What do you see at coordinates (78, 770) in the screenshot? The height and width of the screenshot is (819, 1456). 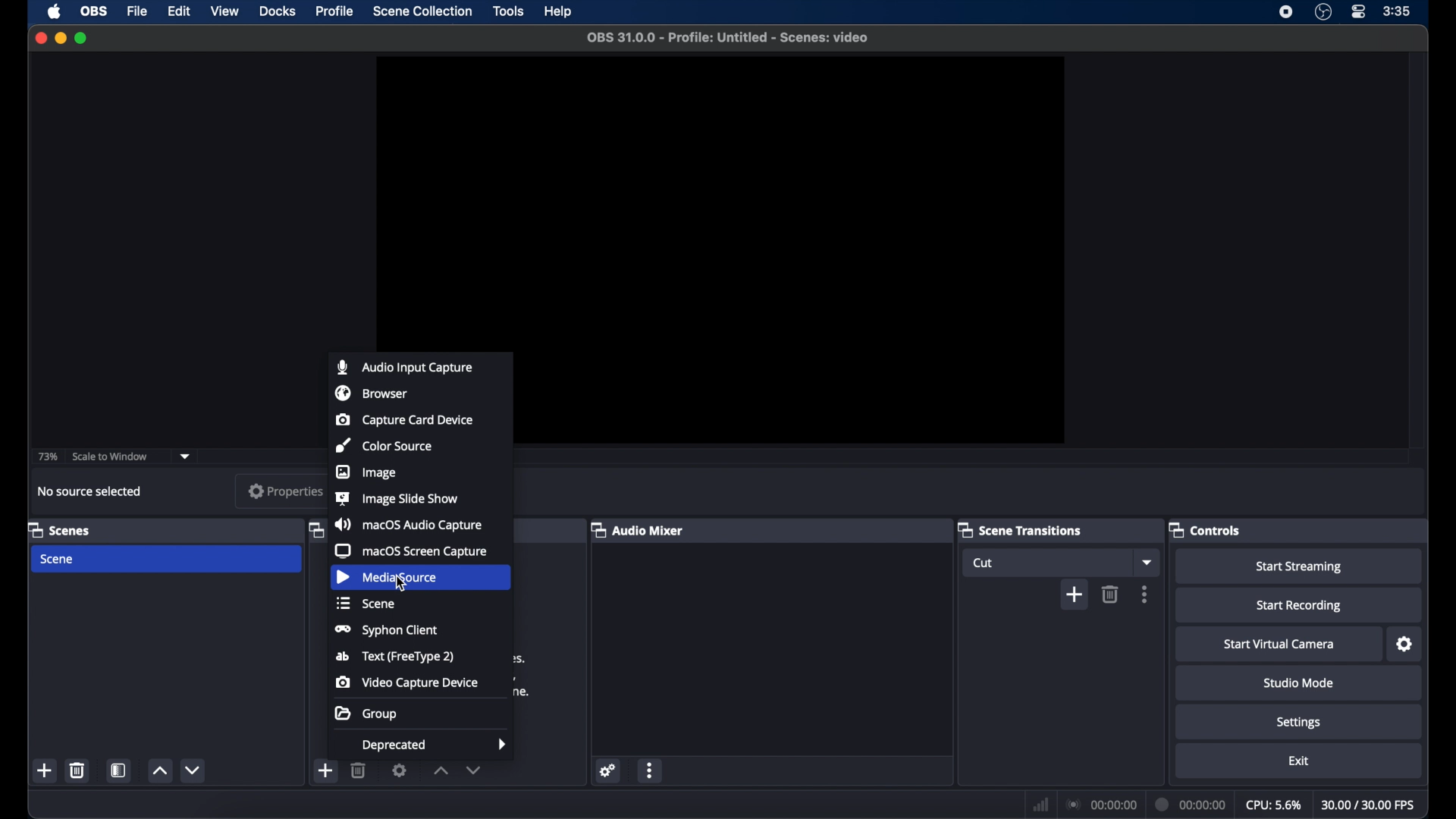 I see `delete` at bounding box center [78, 770].